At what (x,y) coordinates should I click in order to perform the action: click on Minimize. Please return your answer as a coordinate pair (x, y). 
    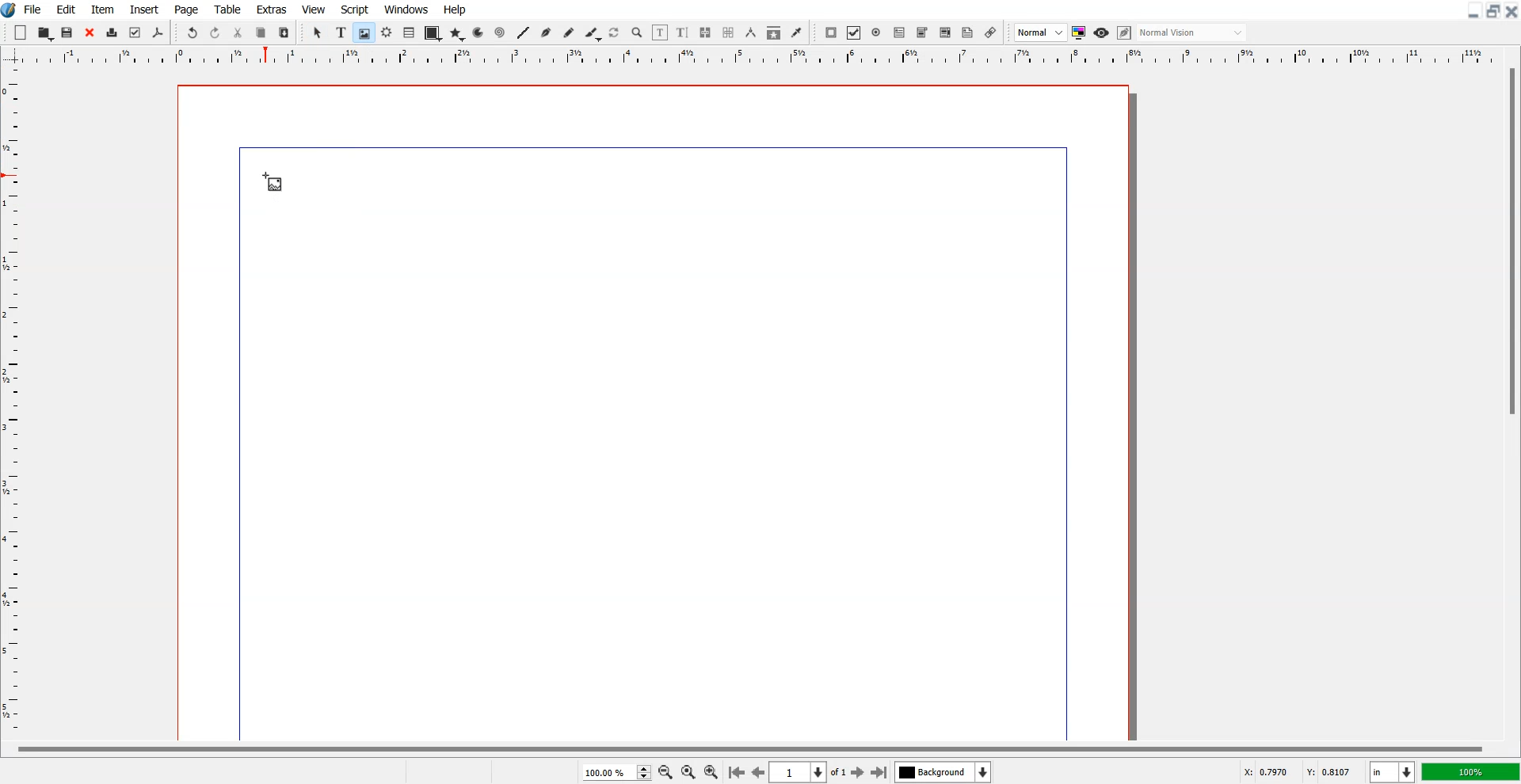
    Looking at the image, I should click on (1472, 11).